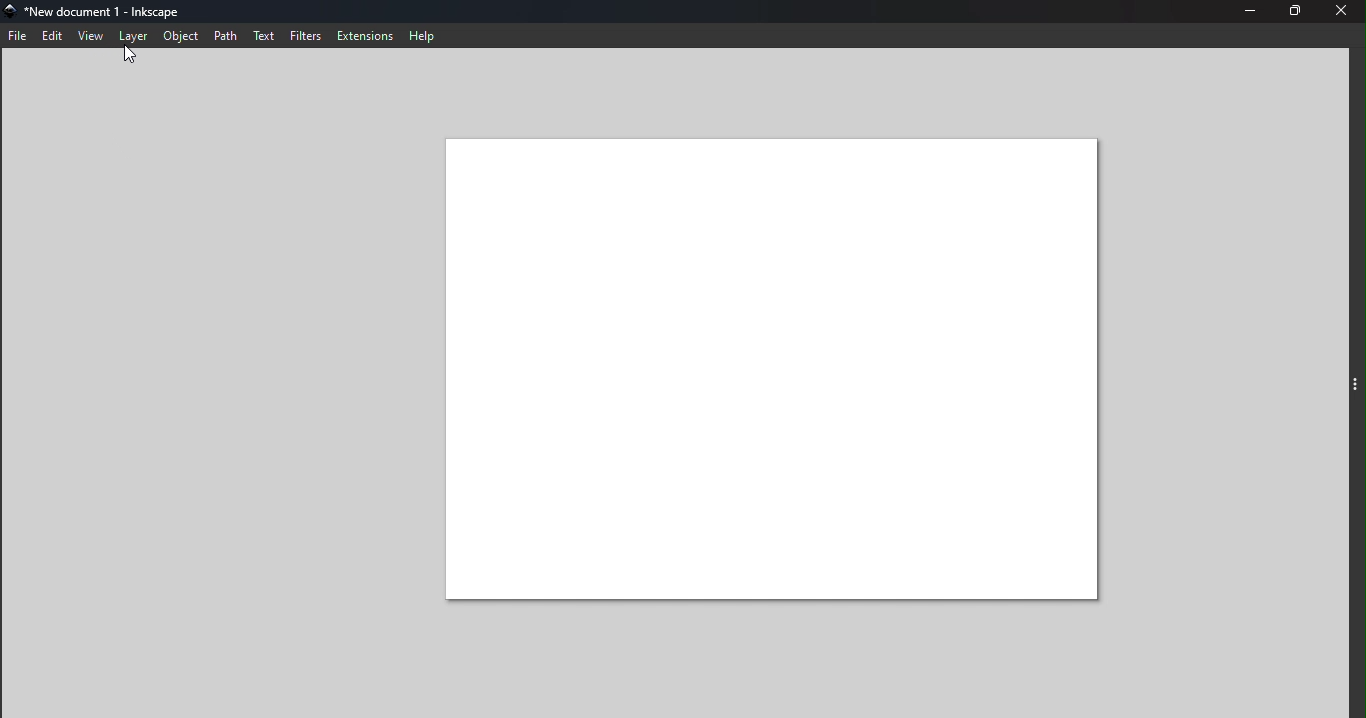 The image size is (1366, 718). What do you see at coordinates (134, 38) in the screenshot?
I see `Layer` at bounding box center [134, 38].